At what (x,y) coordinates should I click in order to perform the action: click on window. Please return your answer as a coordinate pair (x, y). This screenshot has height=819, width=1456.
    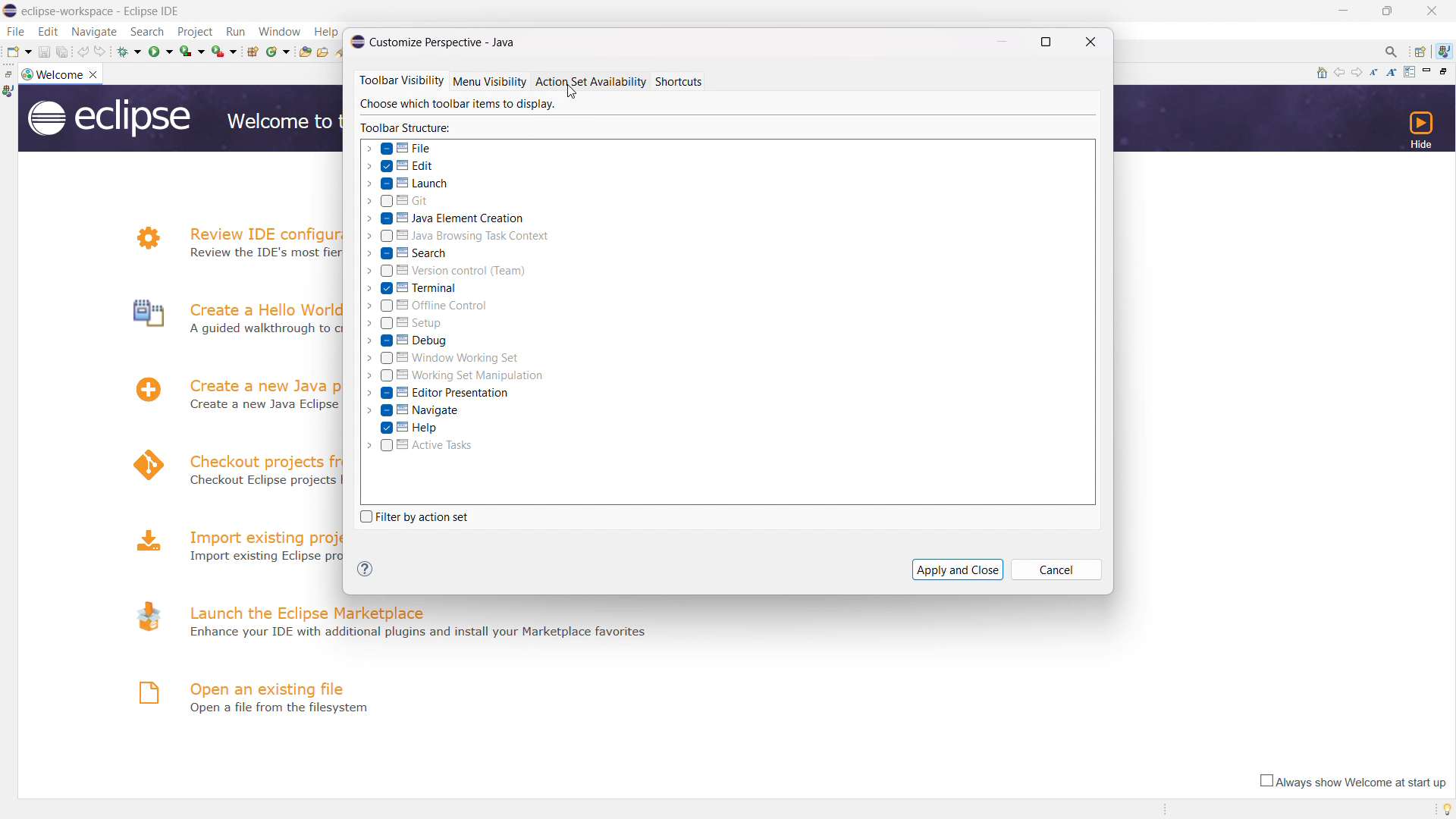
    Looking at the image, I should click on (278, 32).